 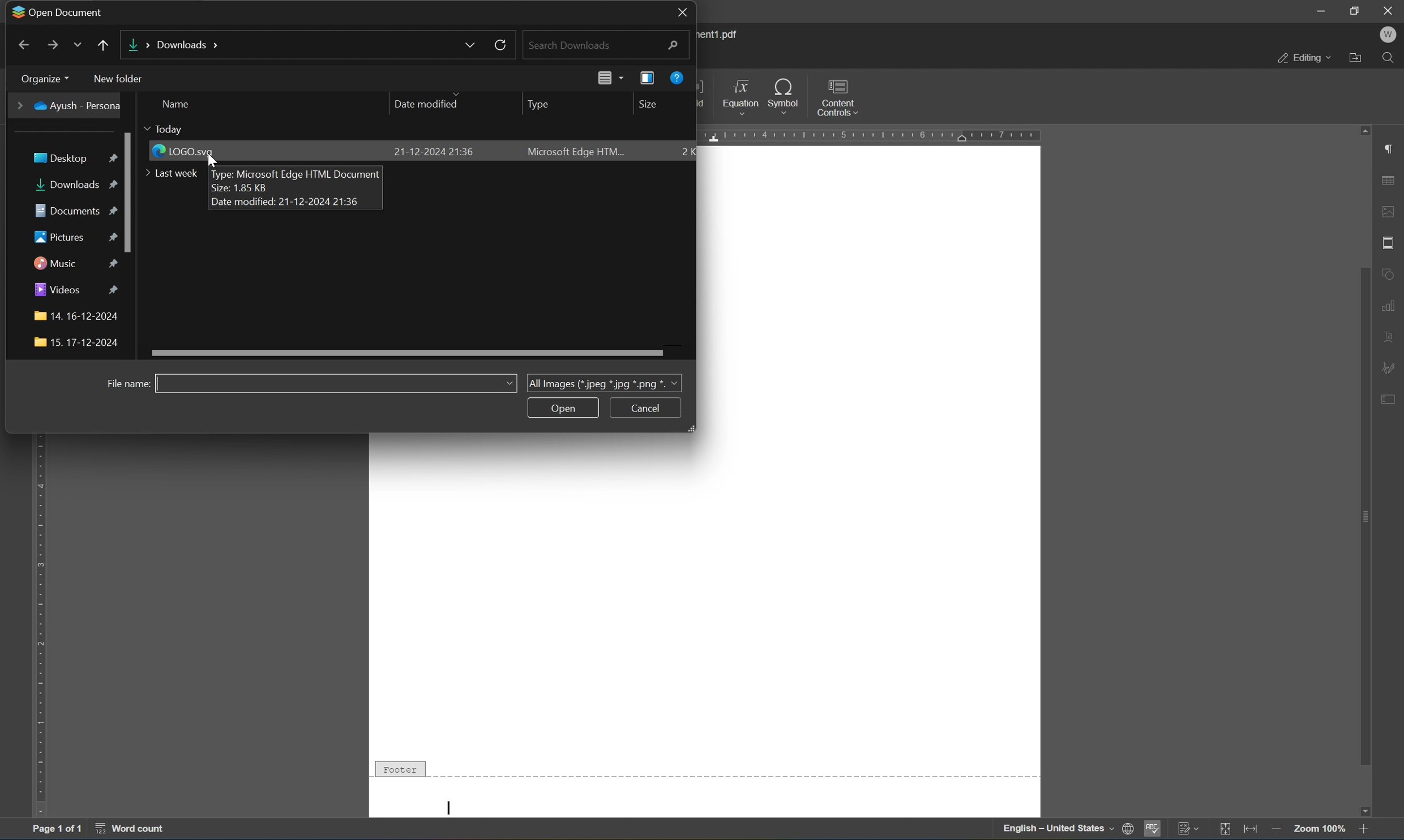 What do you see at coordinates (672, 47) in the screenshot?
I see `search` at bounding box center [672, 47].